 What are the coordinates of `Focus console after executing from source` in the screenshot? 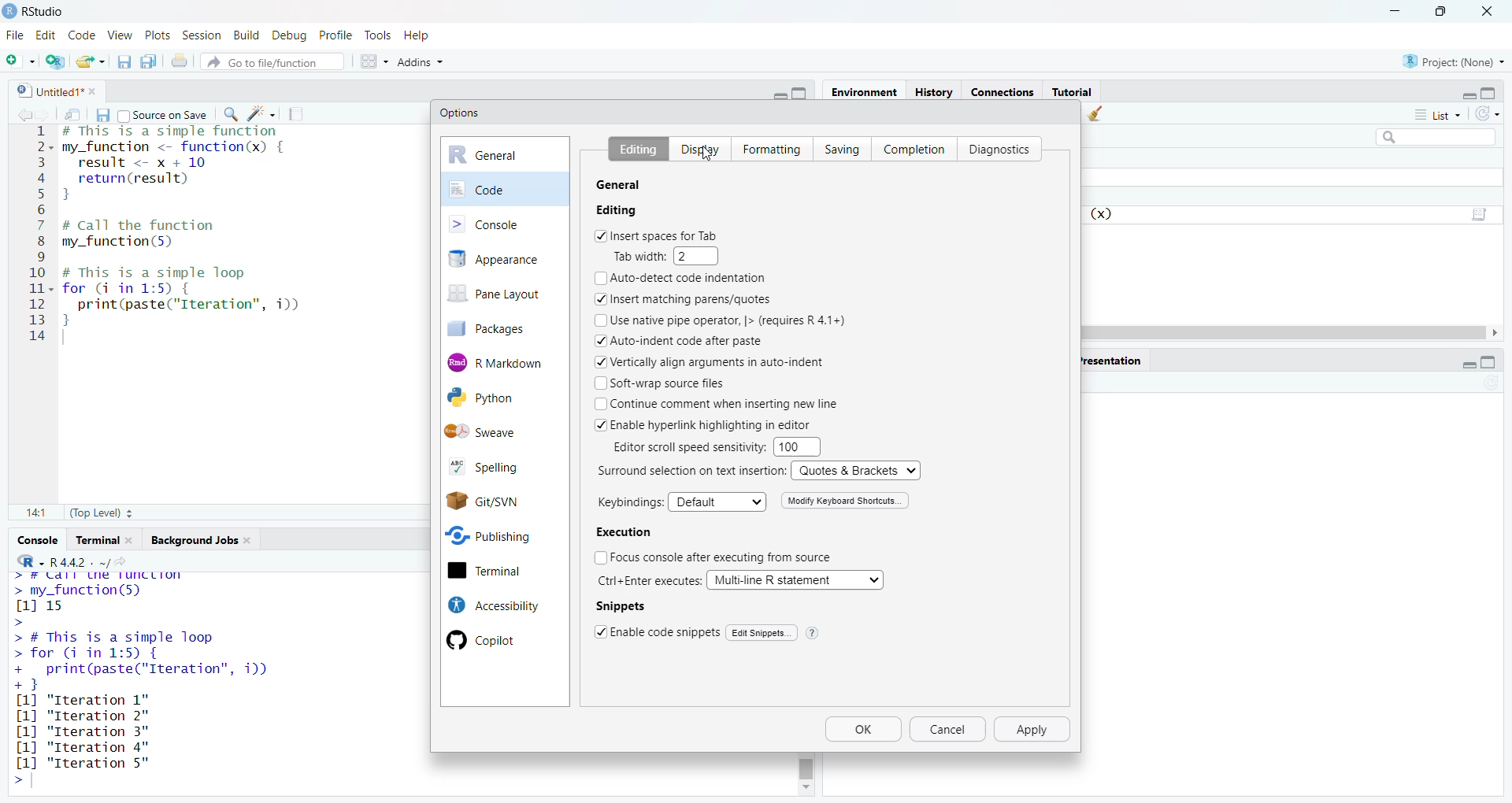 It's located at (713, 556).